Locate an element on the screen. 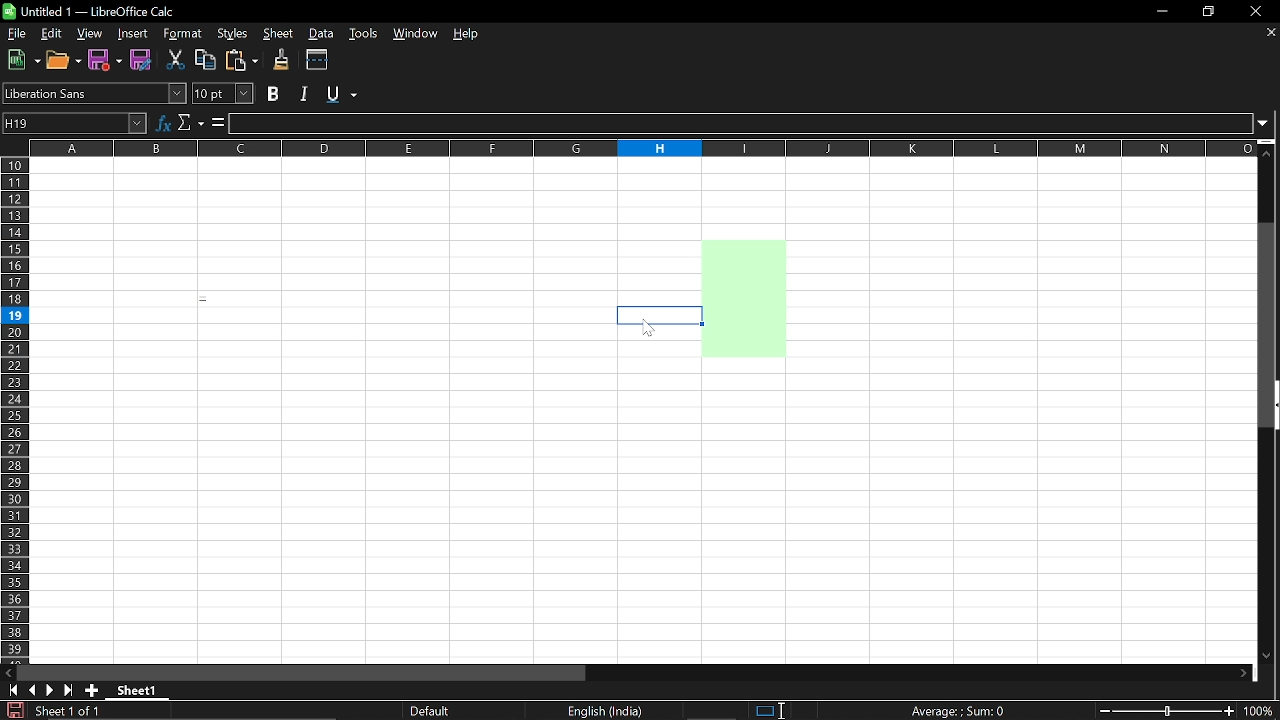  Fillable cells is located at coordinates (1021, 411).